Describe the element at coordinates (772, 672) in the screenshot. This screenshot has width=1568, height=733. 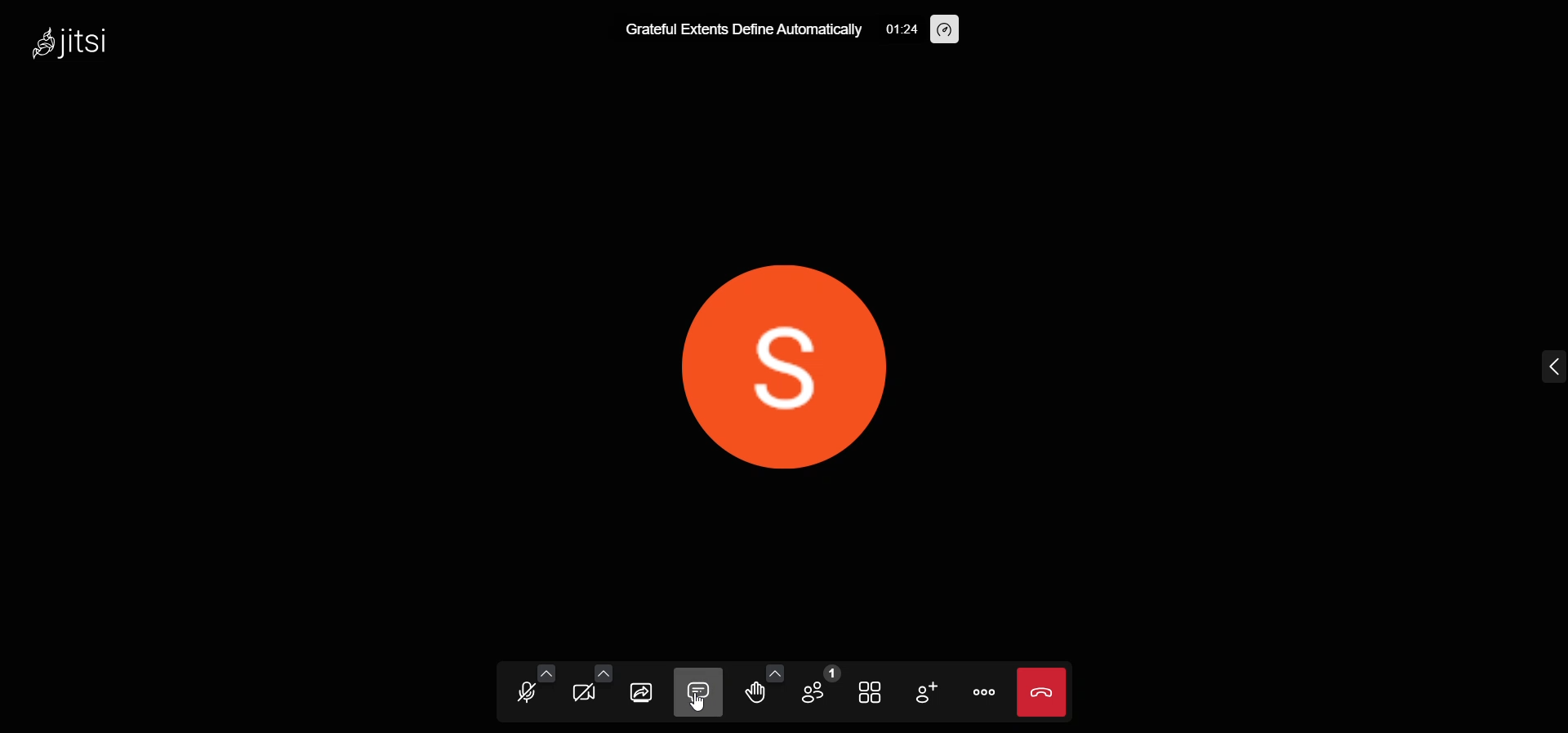
I see `more emoji` at that location.